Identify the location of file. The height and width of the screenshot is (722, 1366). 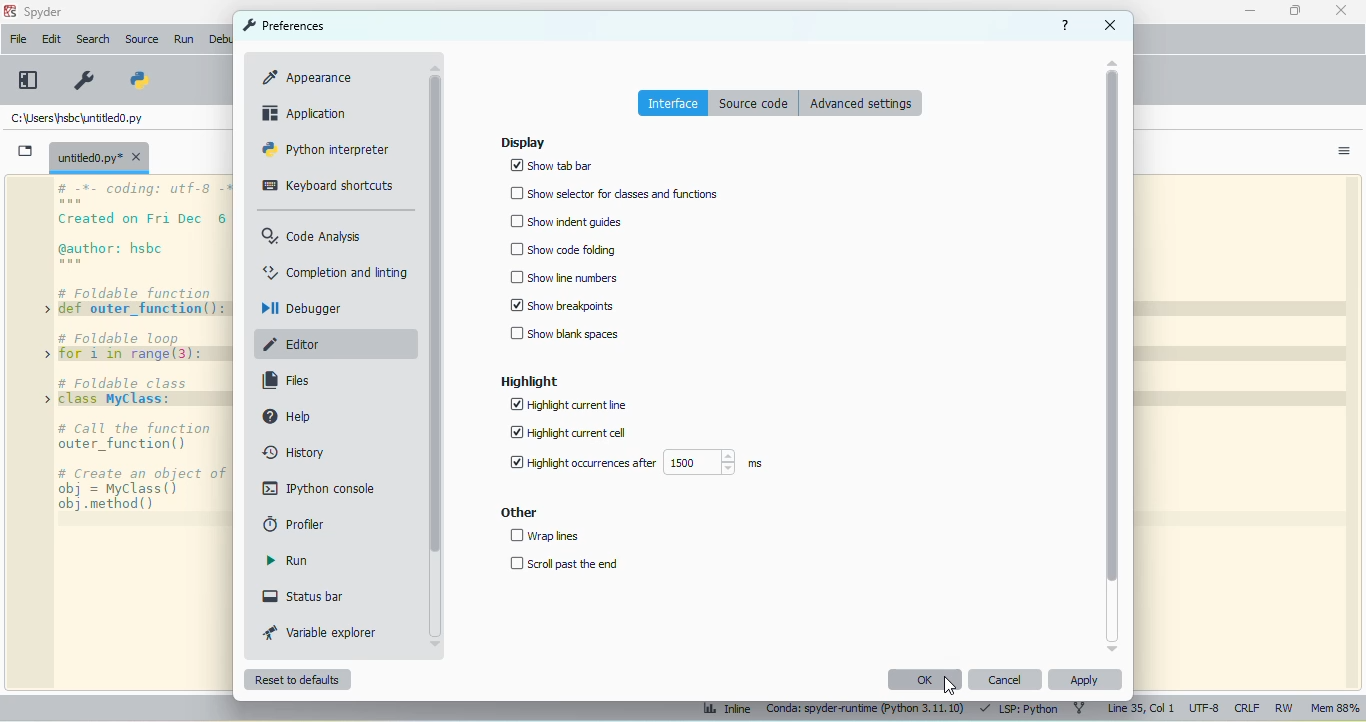
(17, 38).